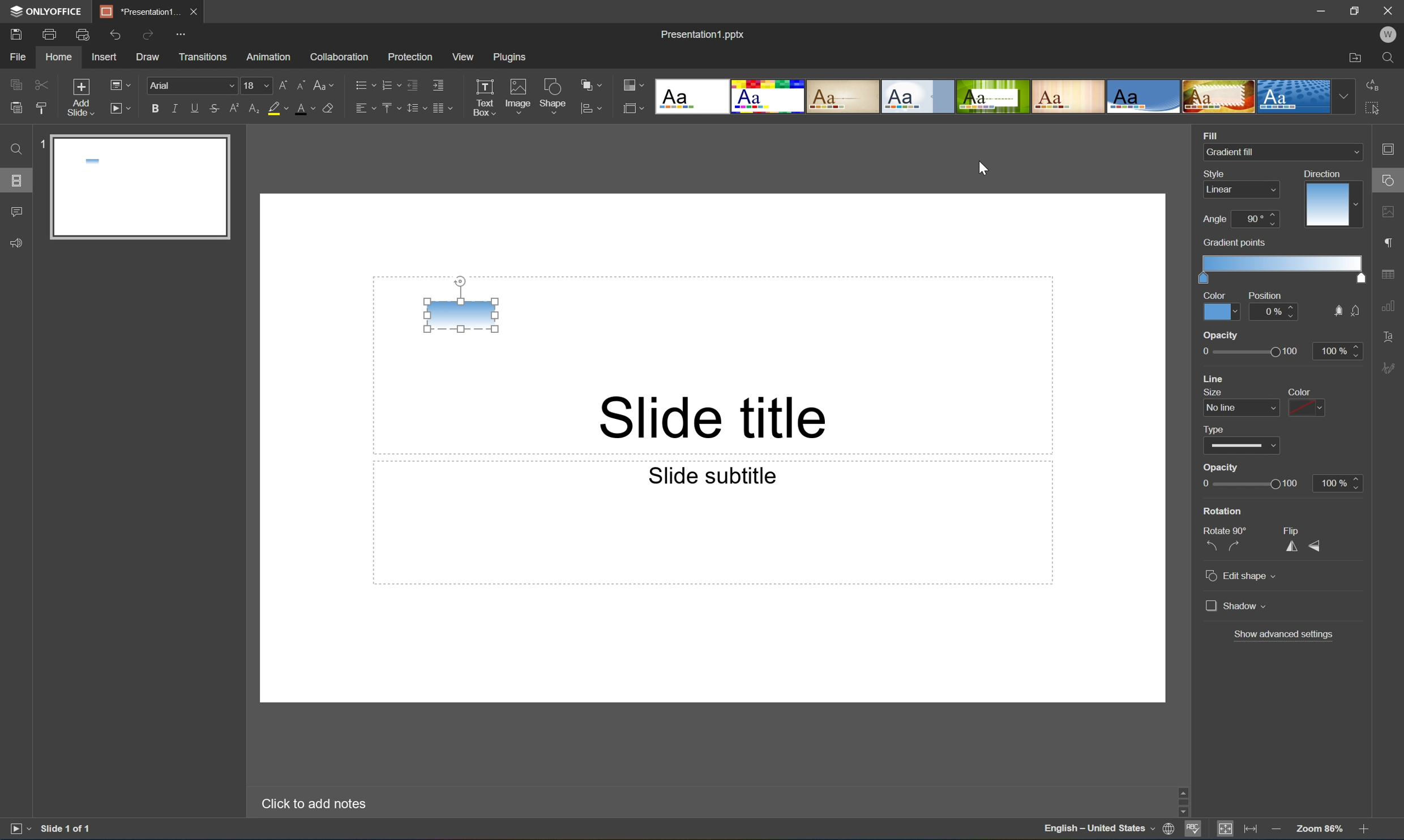 The width and height of the screenshot is (1404, 840). Describe the element at coordinates (717, 416) in the screenshot. I see `Slide title` at that location.